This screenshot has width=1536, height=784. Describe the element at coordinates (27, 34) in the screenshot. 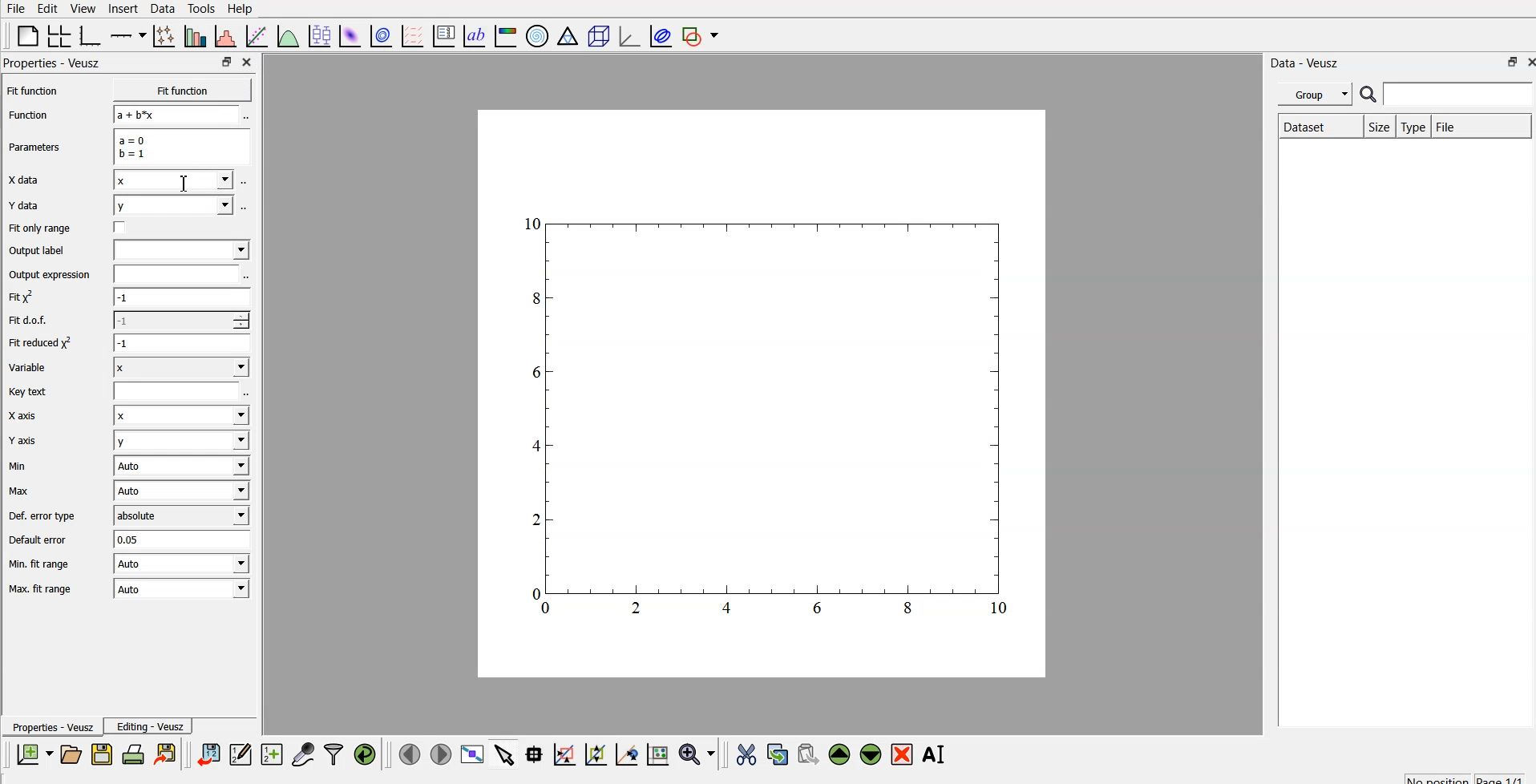

I see `blank page` at that location.